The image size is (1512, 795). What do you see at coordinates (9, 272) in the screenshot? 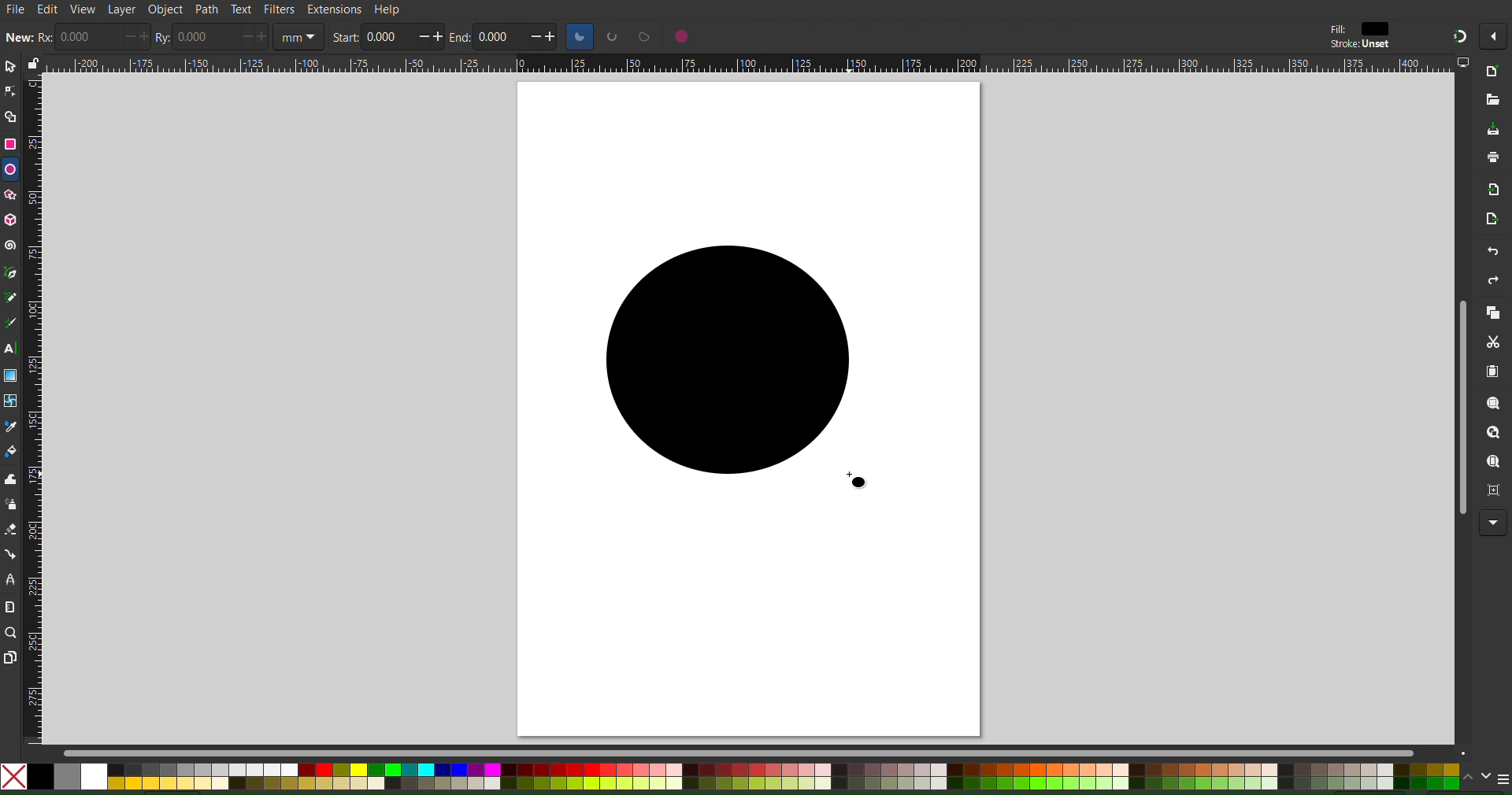
I see `Pen Tool` at bounding box center [9, 272].